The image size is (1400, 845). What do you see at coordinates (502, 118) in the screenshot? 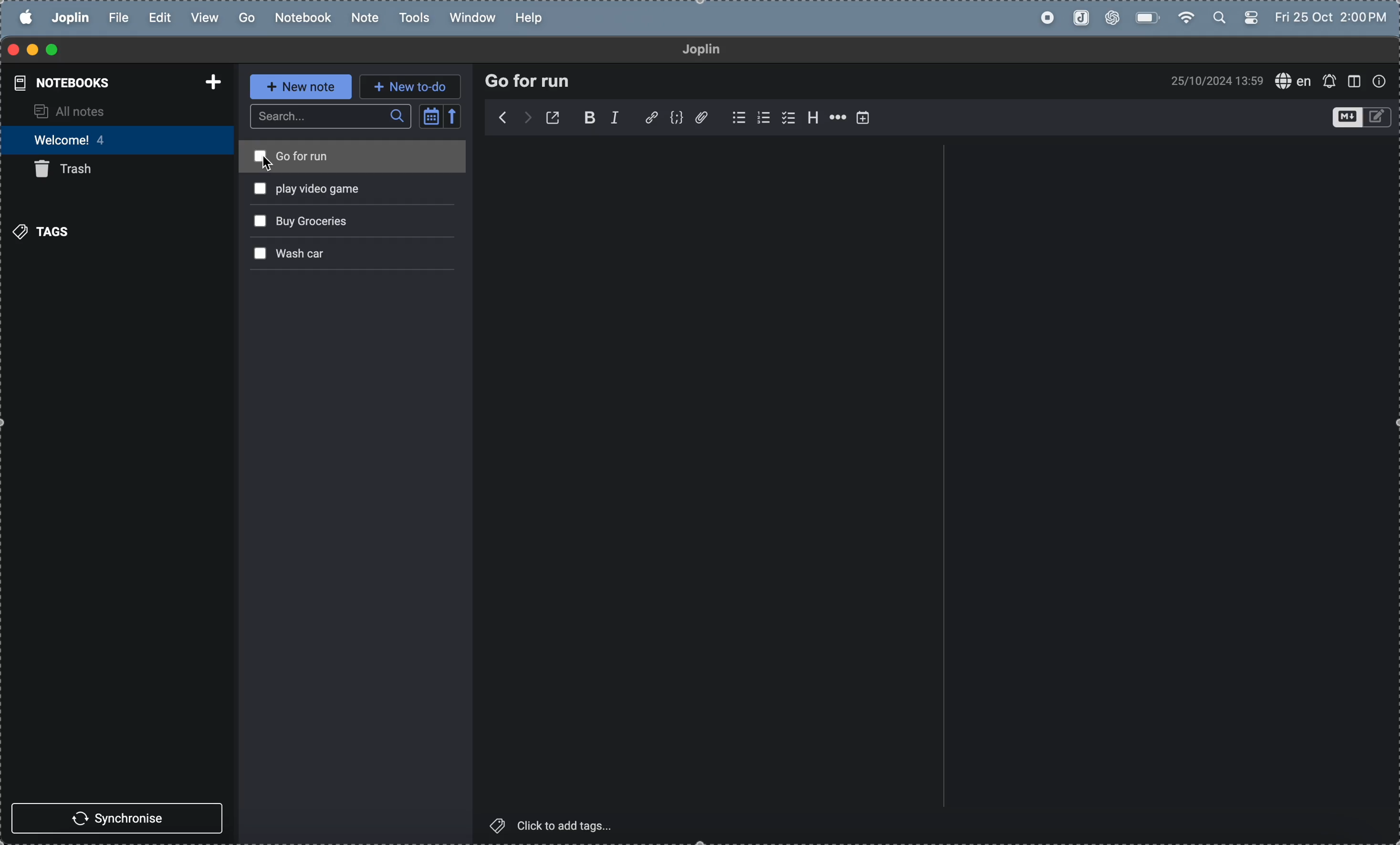
I see `forward` at bounding box center [502, 118].